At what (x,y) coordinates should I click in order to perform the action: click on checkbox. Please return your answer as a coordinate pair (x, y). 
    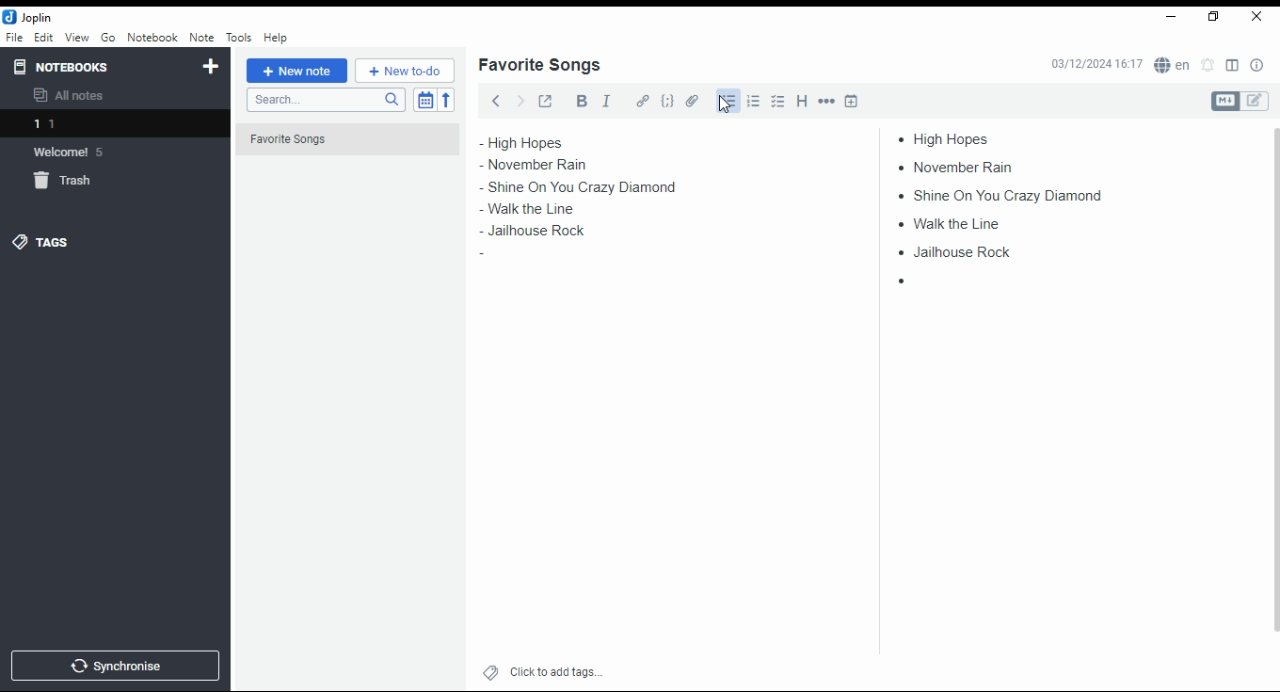
    Looking at the image, I should click on (776, 103).